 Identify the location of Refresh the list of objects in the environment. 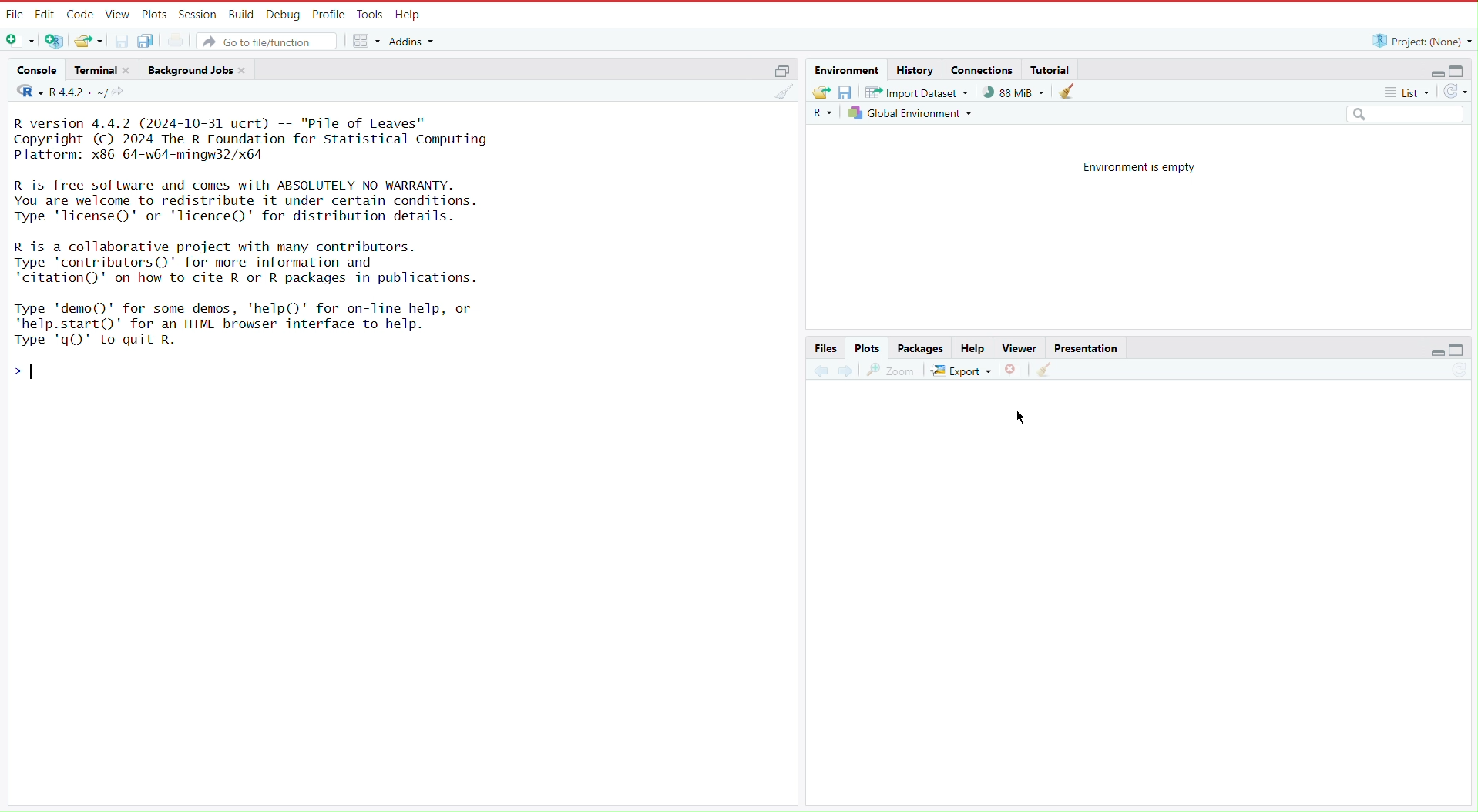
(1455, 93).